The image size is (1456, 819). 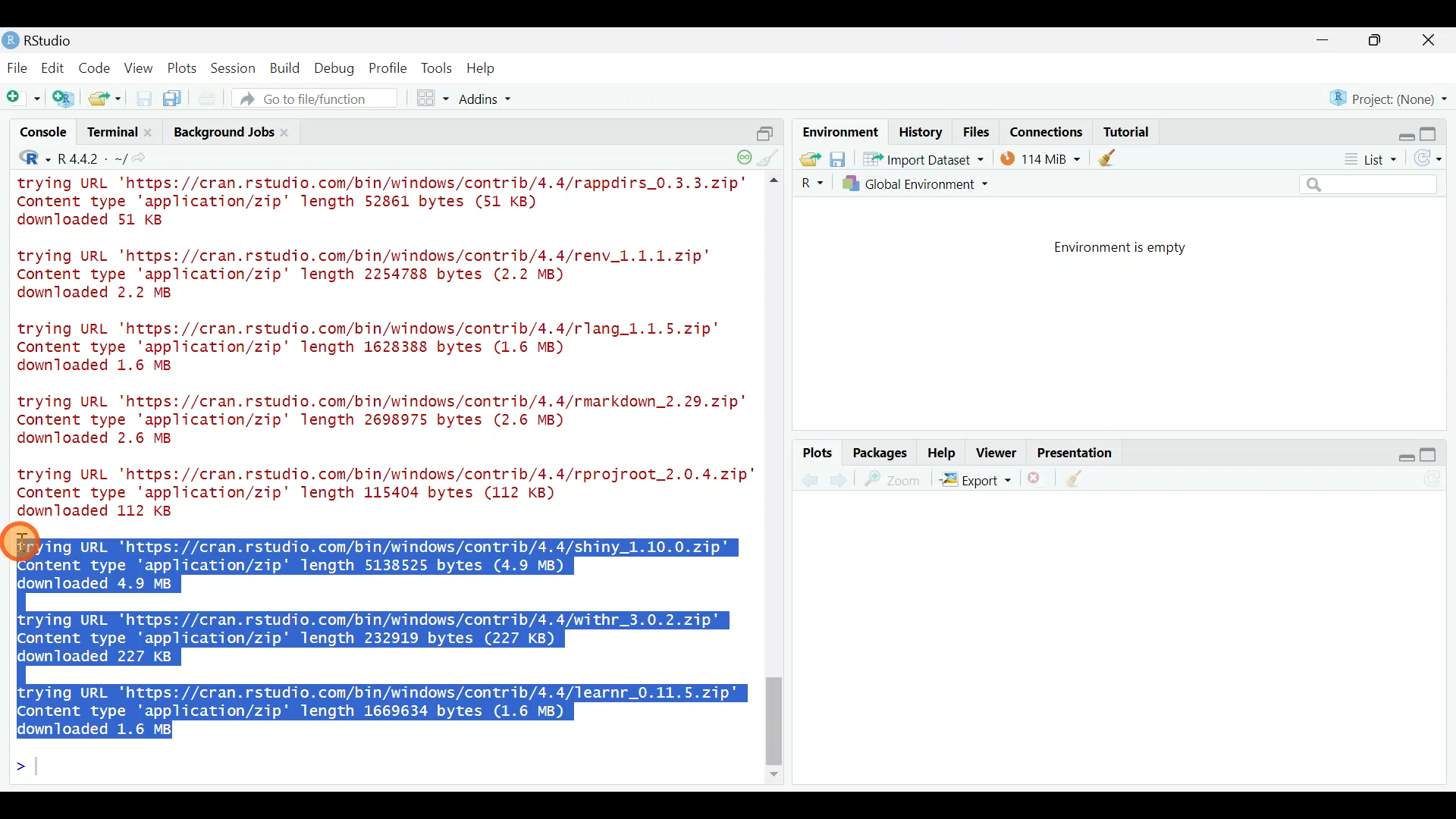 I want to click on clear all plots, so click(x=1083, y=481).